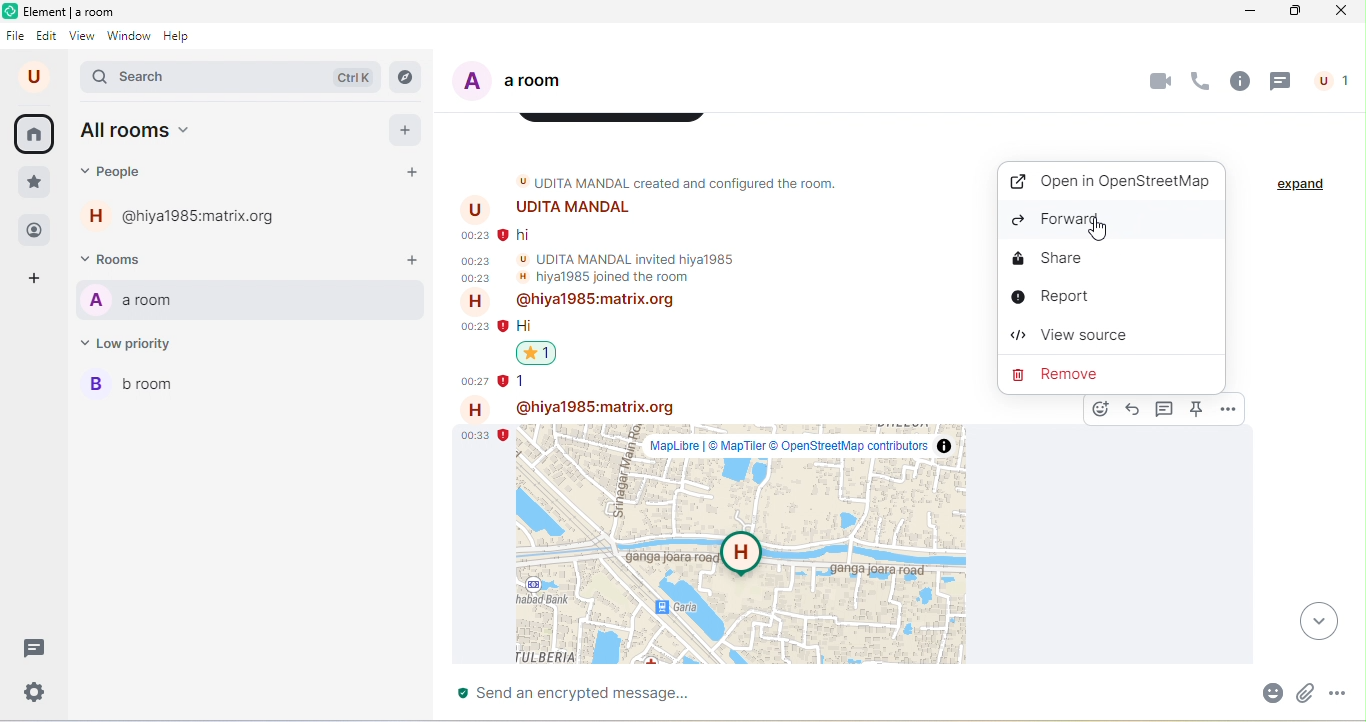 The image size is (1366, 722). Describe the element at coordinates (116, 257) in the screenshot. I see `rooms` at that location.